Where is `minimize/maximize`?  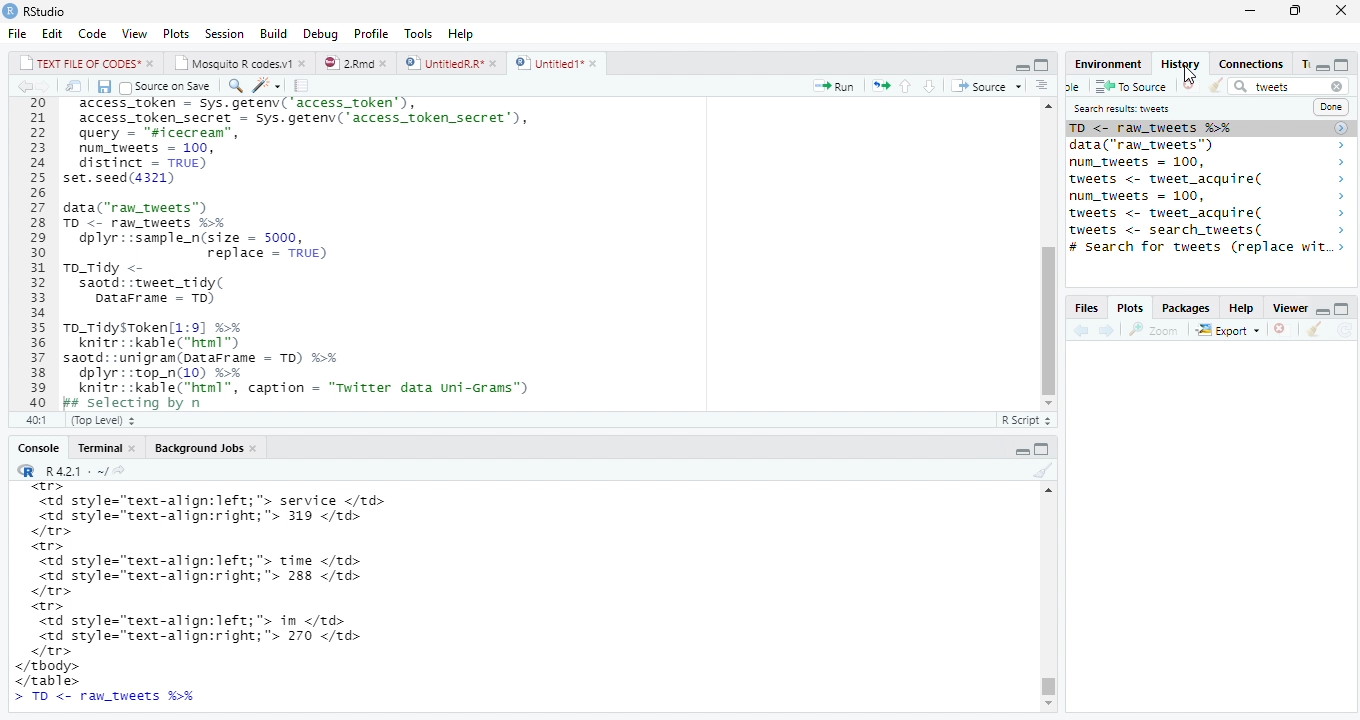 minimize/maximize is located at coordinates (1338, 61).